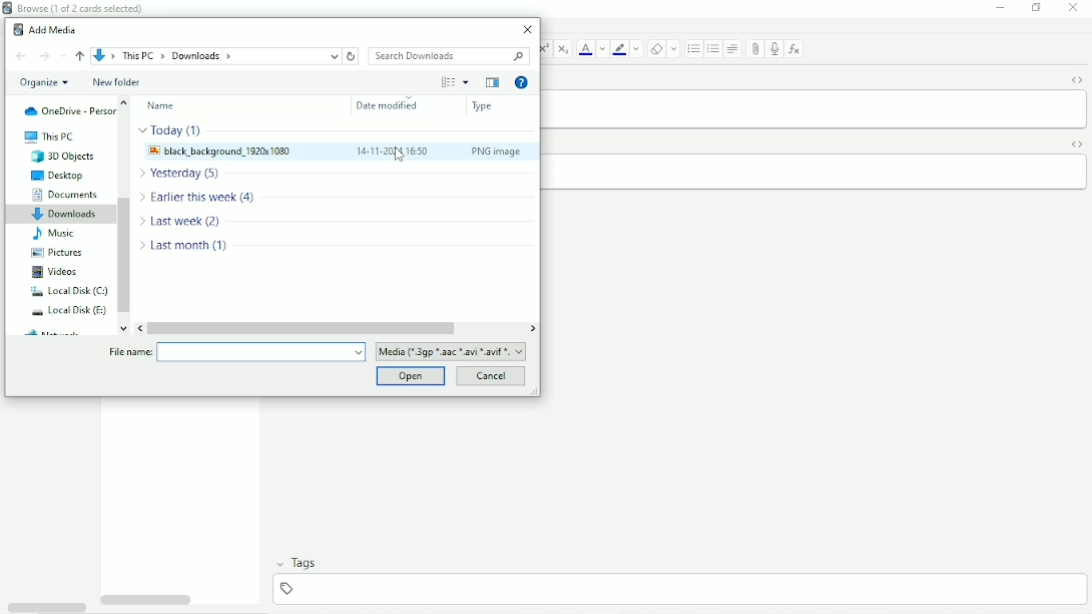  Describe the element at coordinates (65, 195) in the screenshot. I see `Documents` at that location.